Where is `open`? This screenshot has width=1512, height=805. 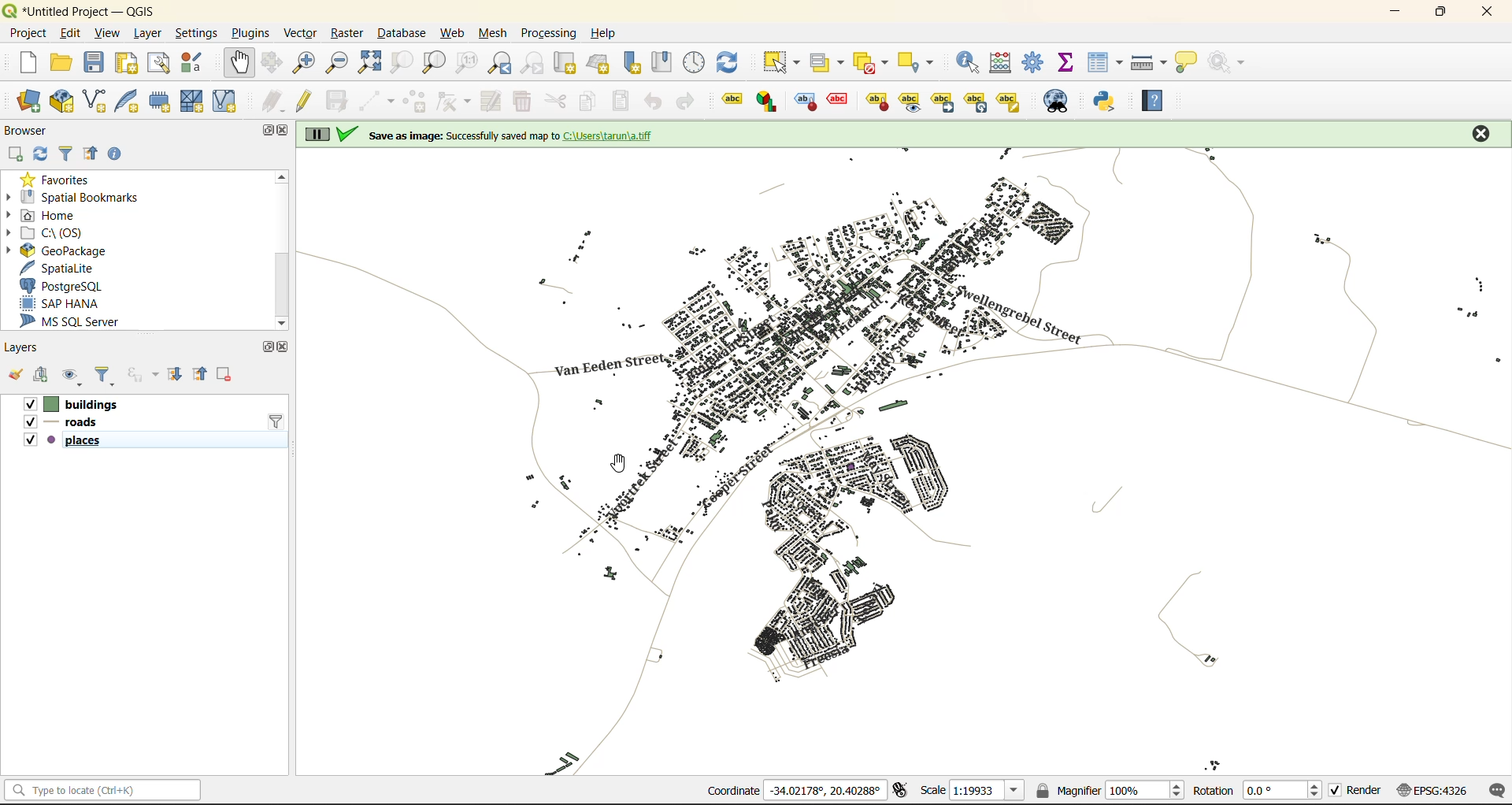
open is located at coordinates (61, 61).